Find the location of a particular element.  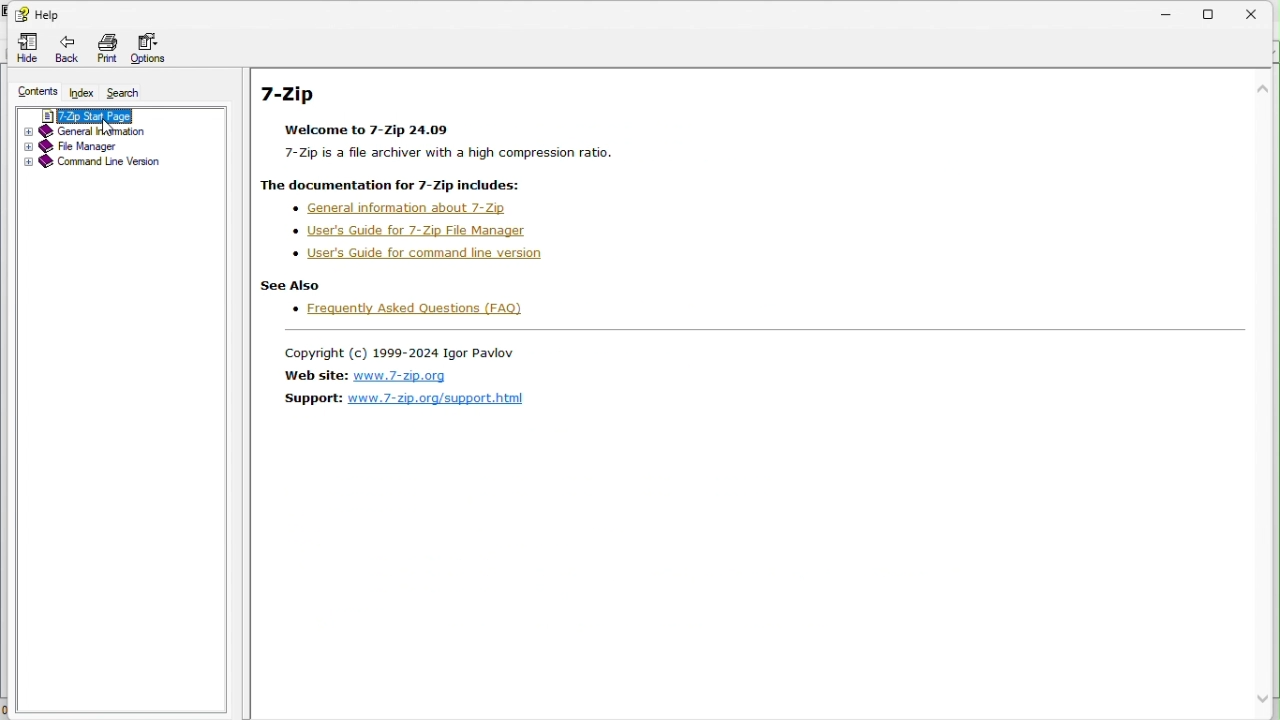

Website is located at coordinates (313, 377).